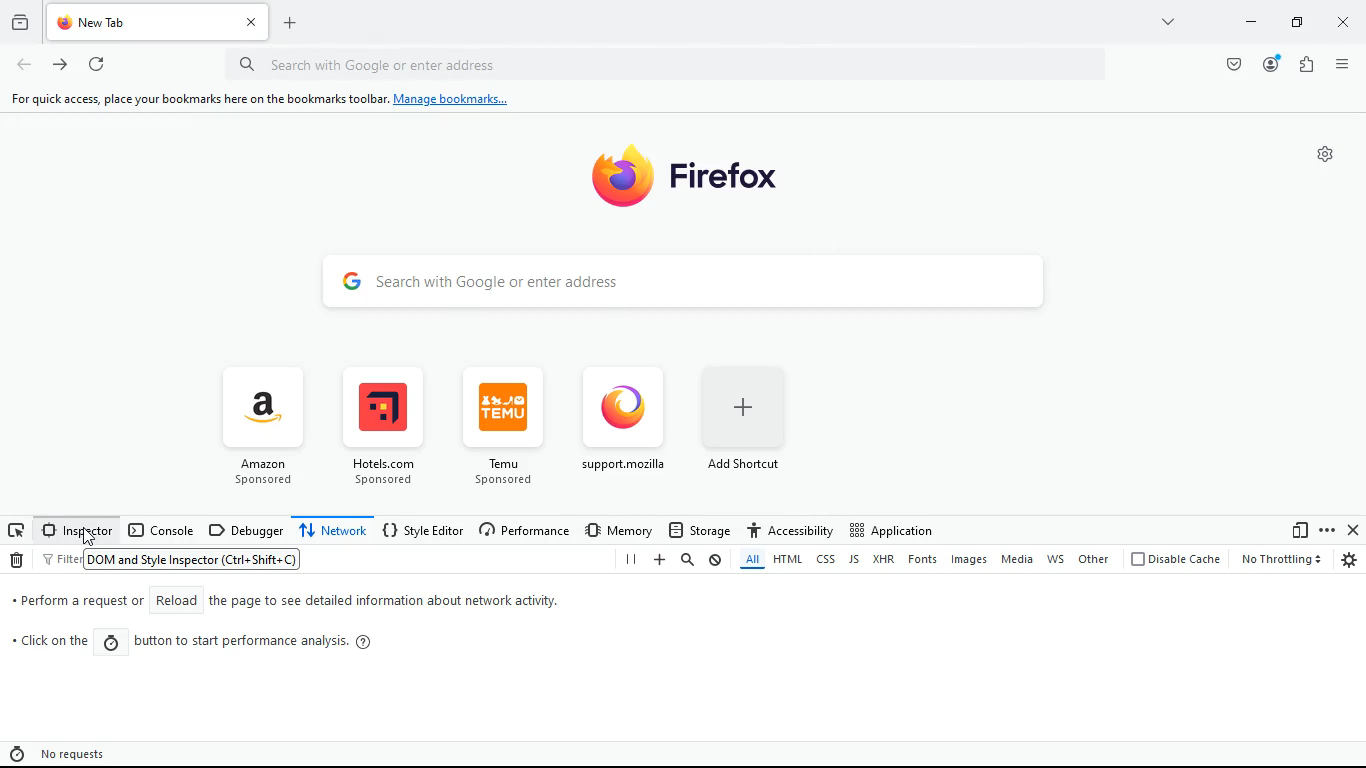 The width and height of the screenshot is (1366, 768). What do you see at coordinates (757, 429) in the screenshot?
I see `add shortcut` at bounding box center [757, 429].